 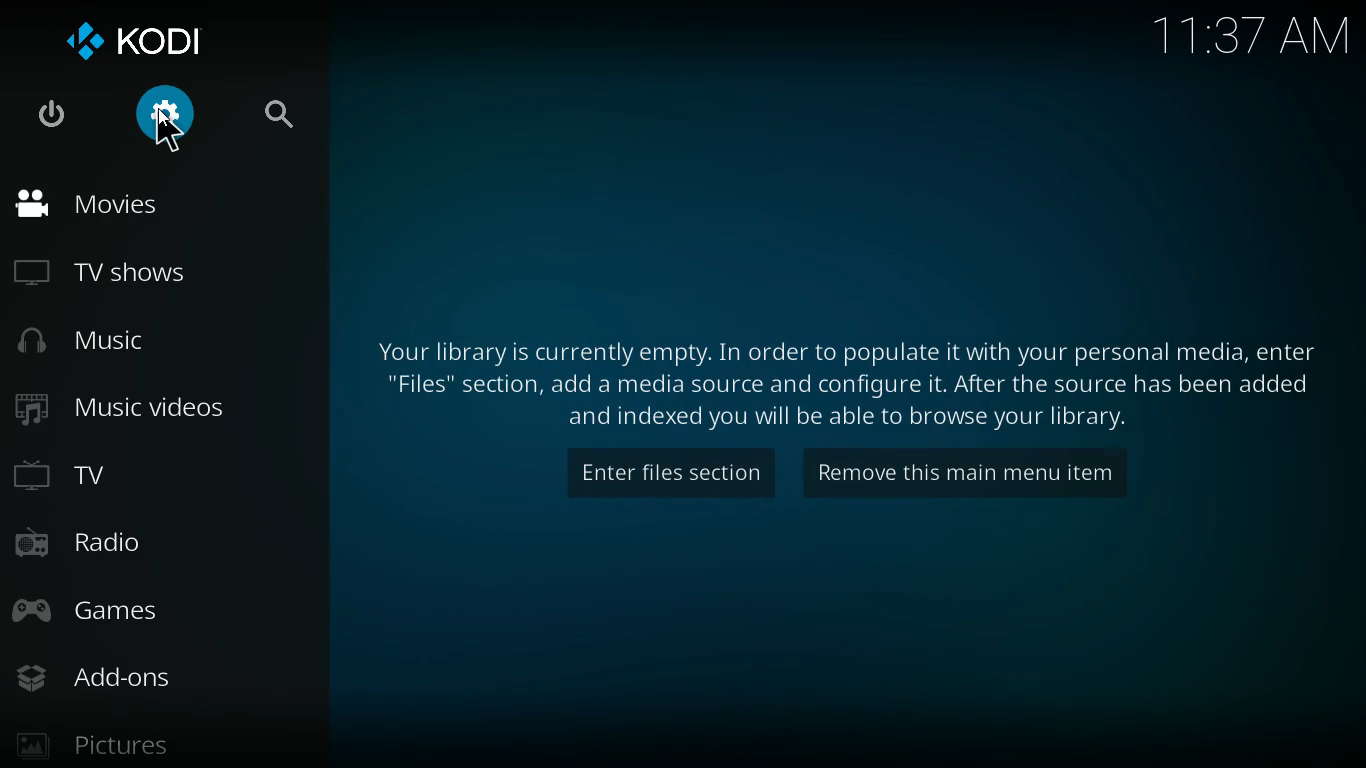 I want to click on power, so click(x=57, y=118).